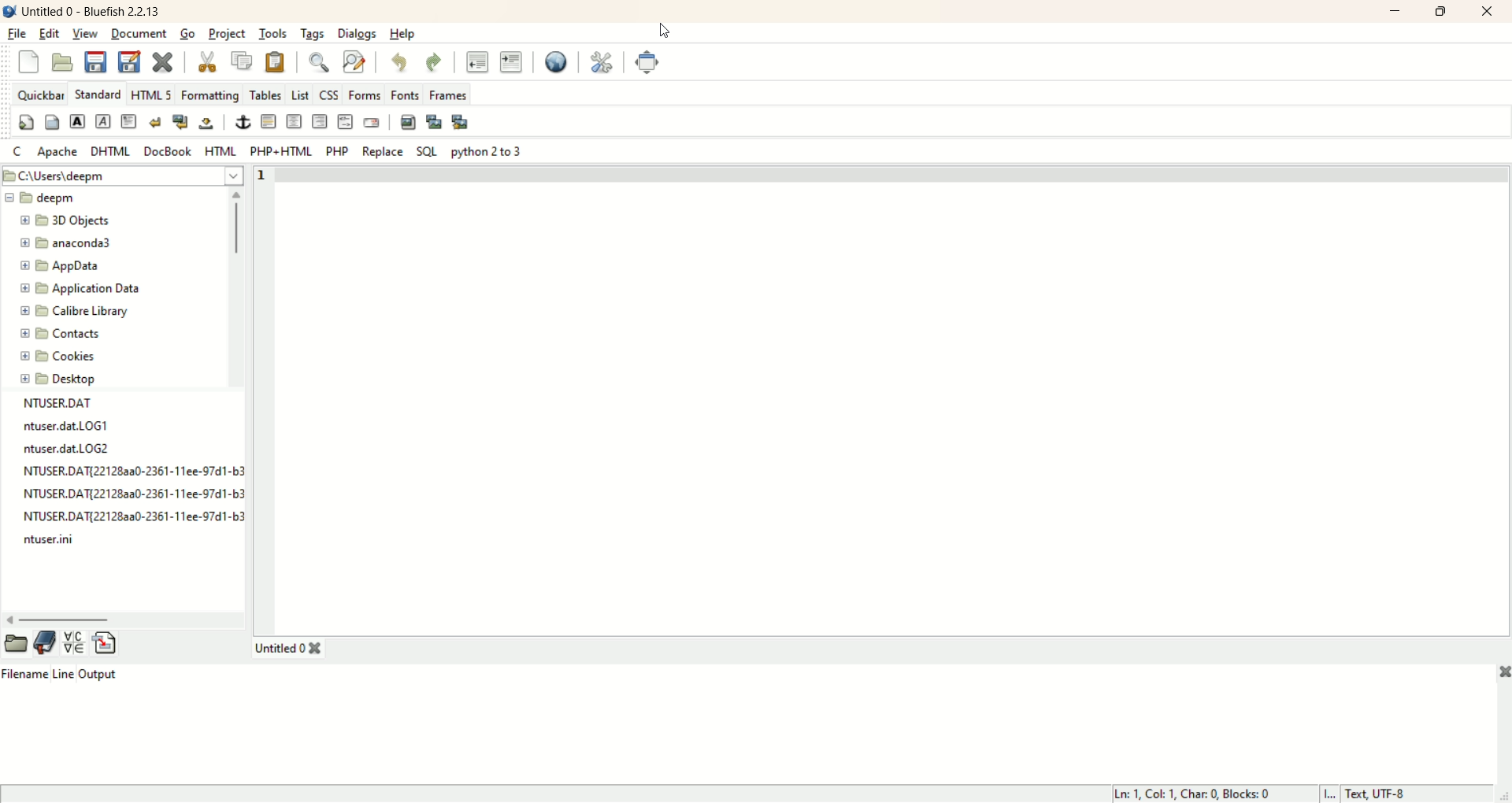 This screenshot has height=803, width=1512. Describe the element at coordinates (1208, 794) in the screenshot. I see `ln, col, char, blocks` at that location.